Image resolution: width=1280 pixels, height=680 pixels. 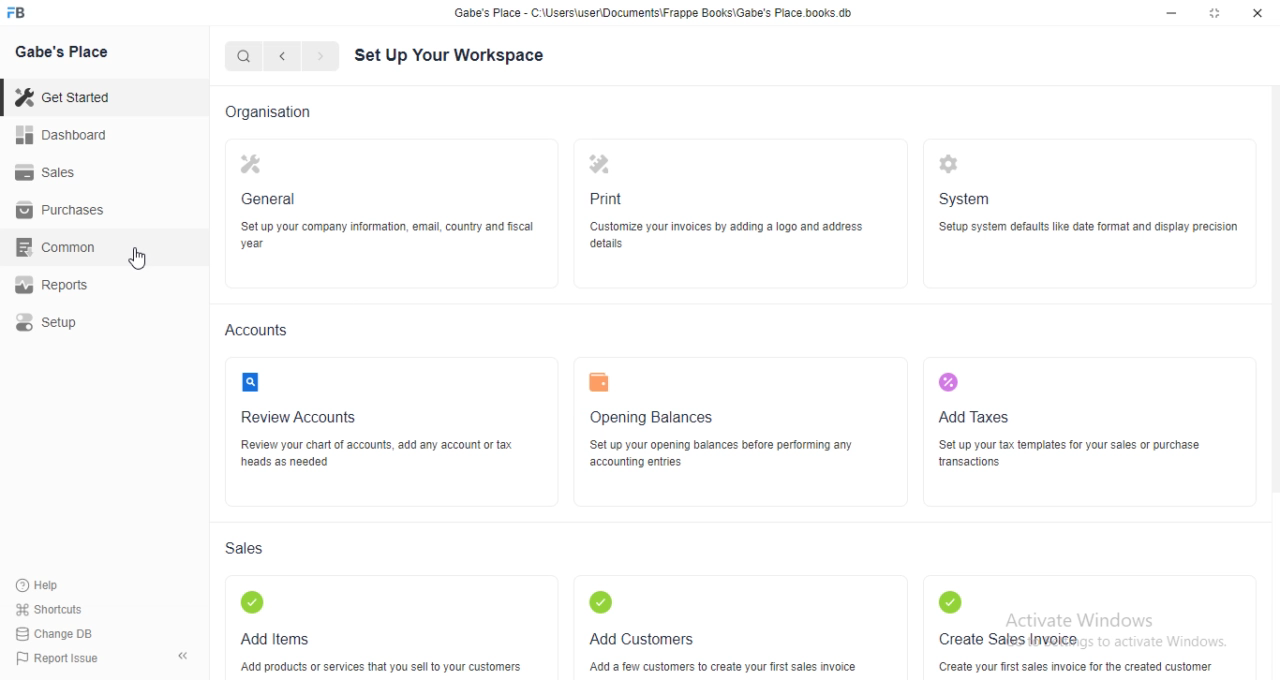 What do you see at coordinates (59, 210) in the screenshot?
I see `| Purchases` at bounding box center [59, 210].